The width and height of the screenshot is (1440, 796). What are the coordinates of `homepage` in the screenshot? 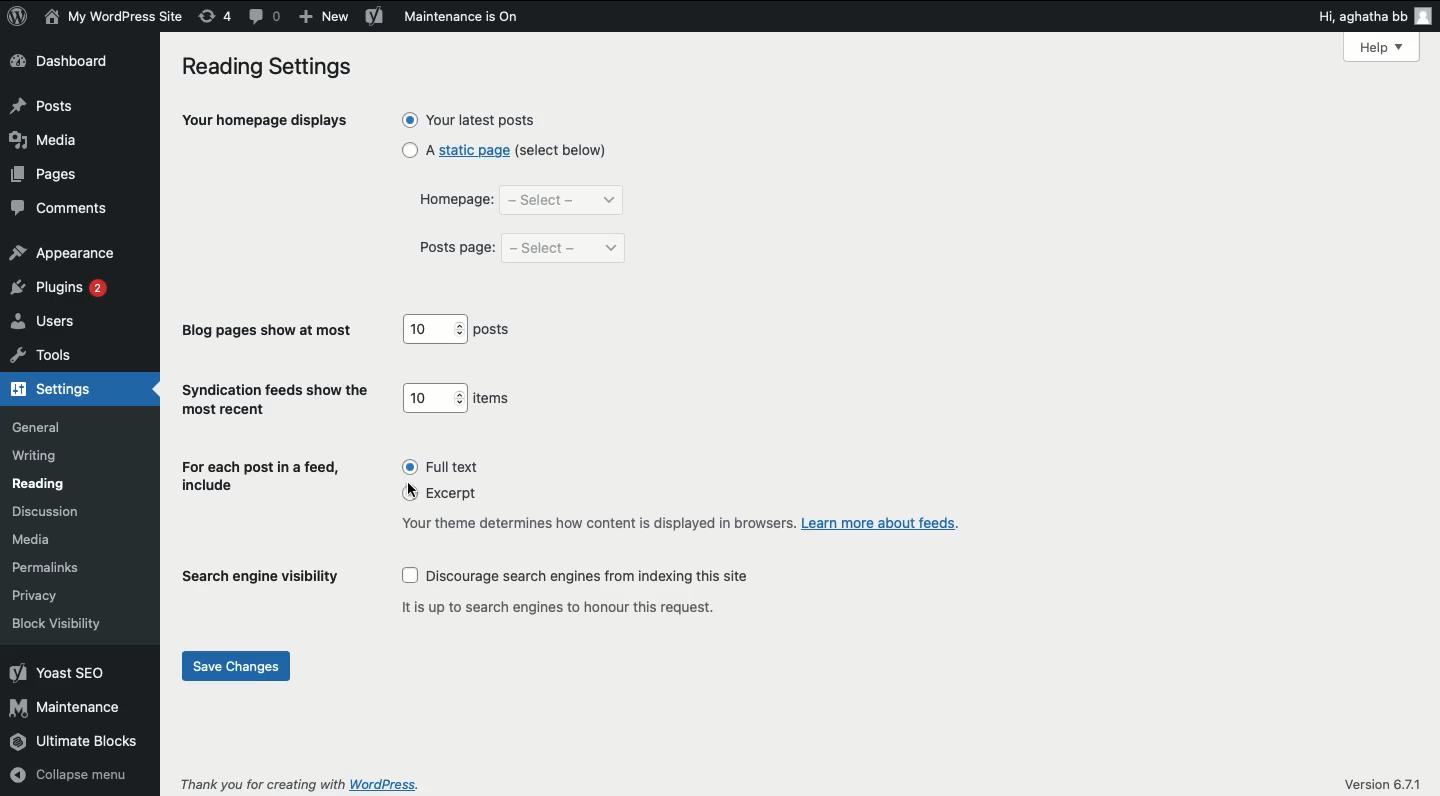 It's located at (455, 200).